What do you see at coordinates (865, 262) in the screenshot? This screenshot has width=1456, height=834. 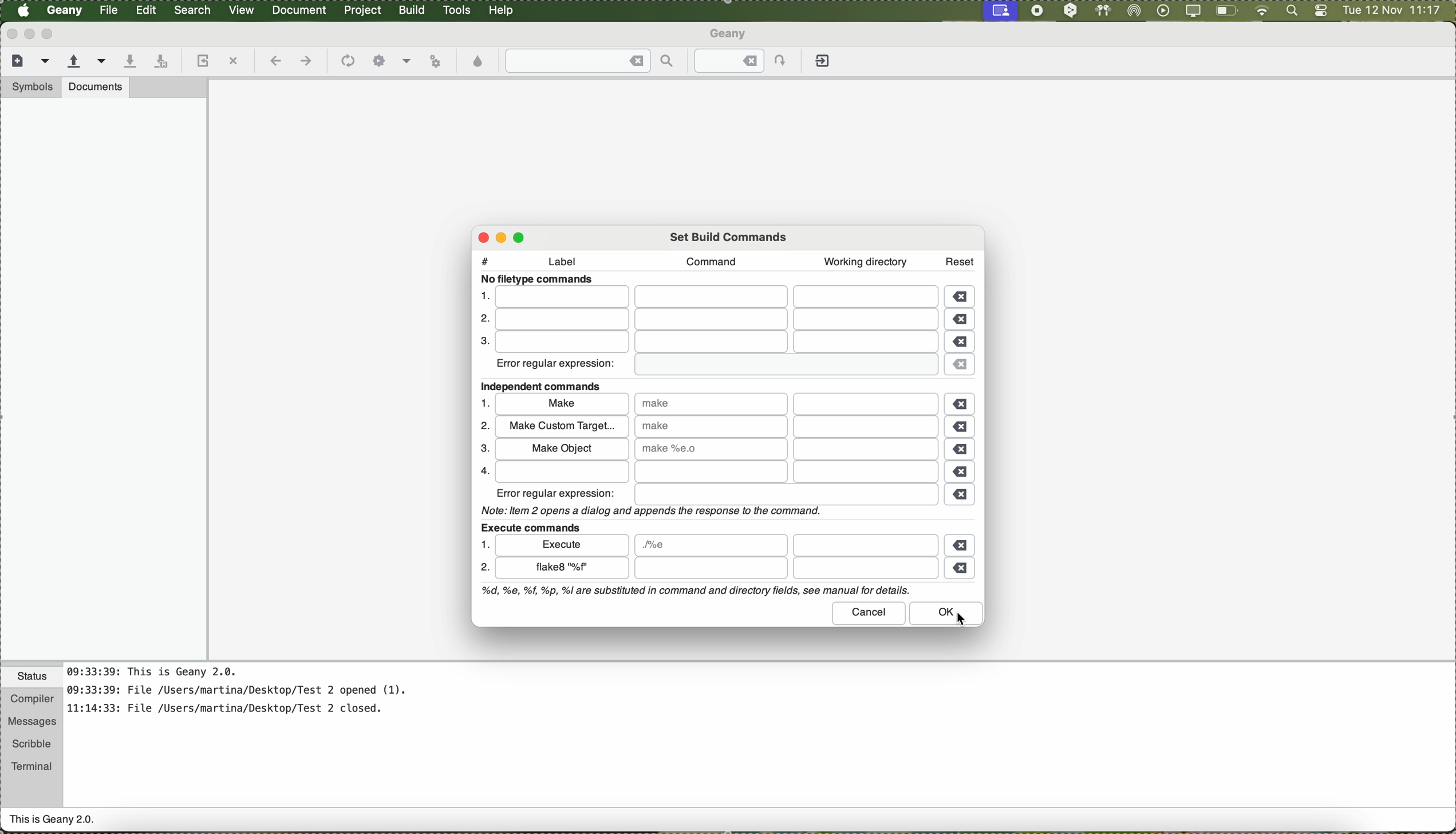 I see `working directory` at bounding box center [865, 262].